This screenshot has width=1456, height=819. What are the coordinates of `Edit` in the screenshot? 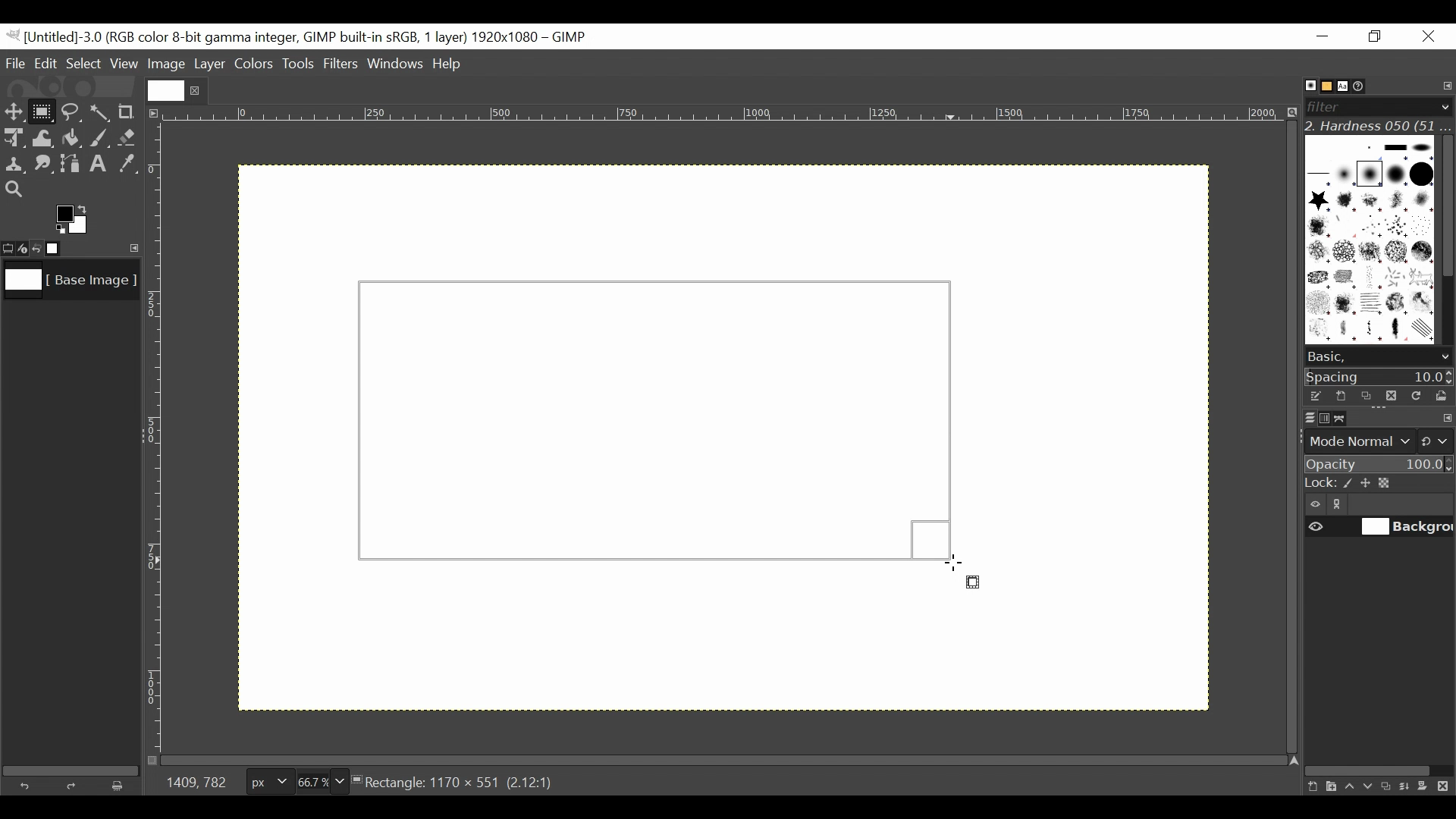 It's located at (47, 63).